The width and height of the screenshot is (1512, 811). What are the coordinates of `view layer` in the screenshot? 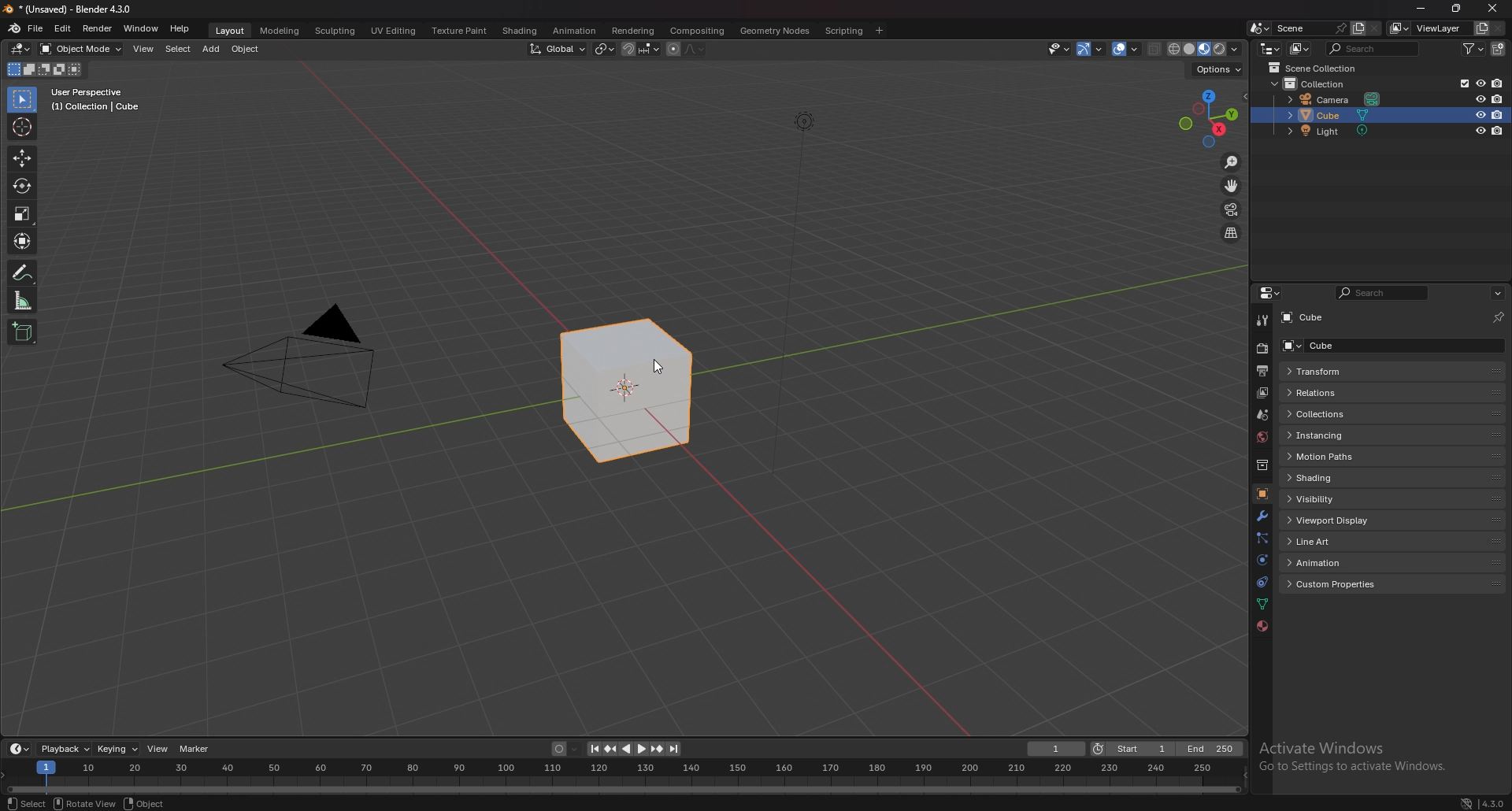 It's located at (1262, 393).